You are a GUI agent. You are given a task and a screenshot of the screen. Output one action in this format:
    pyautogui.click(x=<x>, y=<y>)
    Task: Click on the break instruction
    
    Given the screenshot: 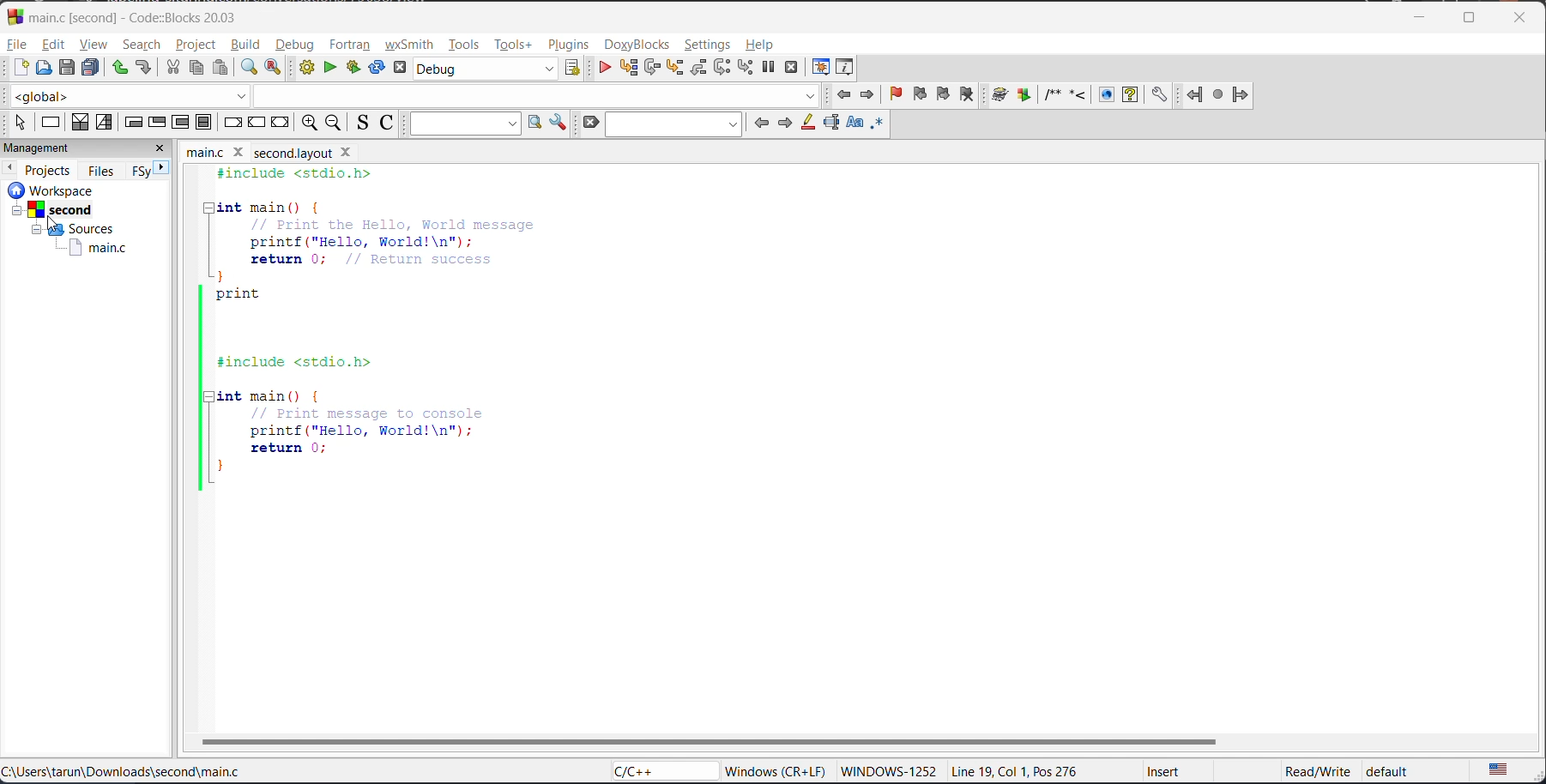 What is the action you would take?
    pyautogui.click(x=235, y=122)
    